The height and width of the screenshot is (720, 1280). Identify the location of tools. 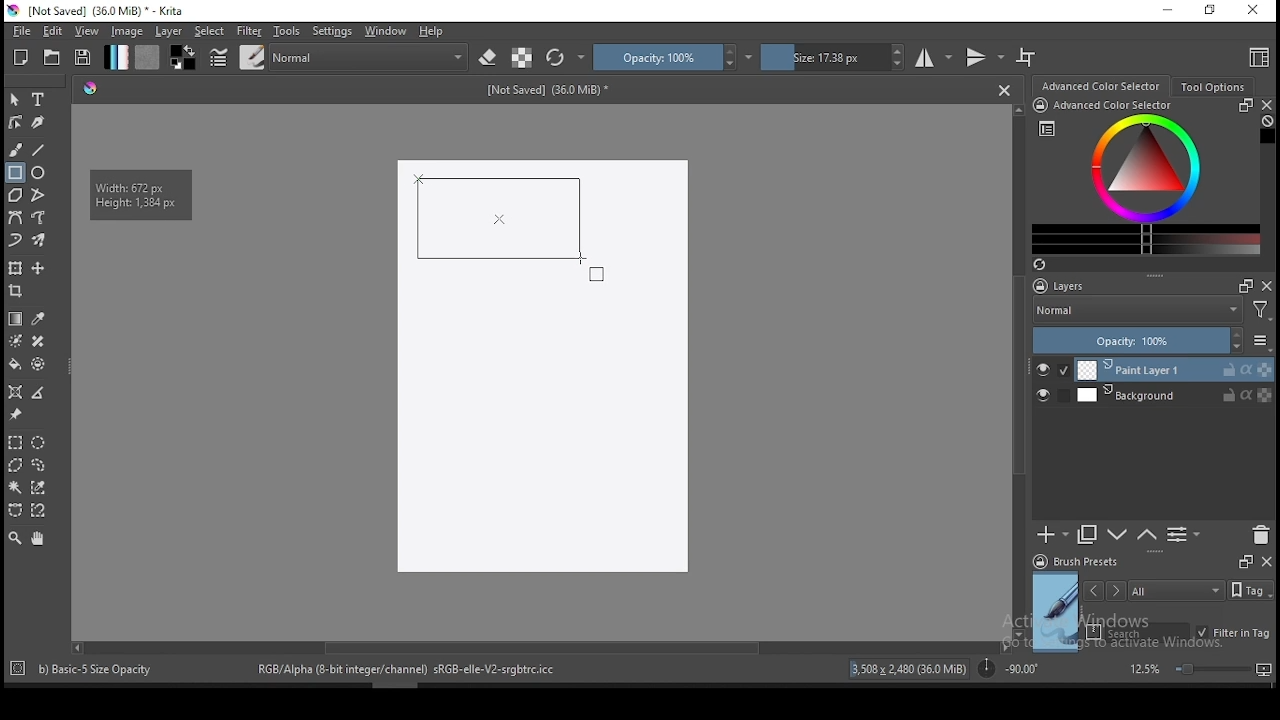
(287, 31).